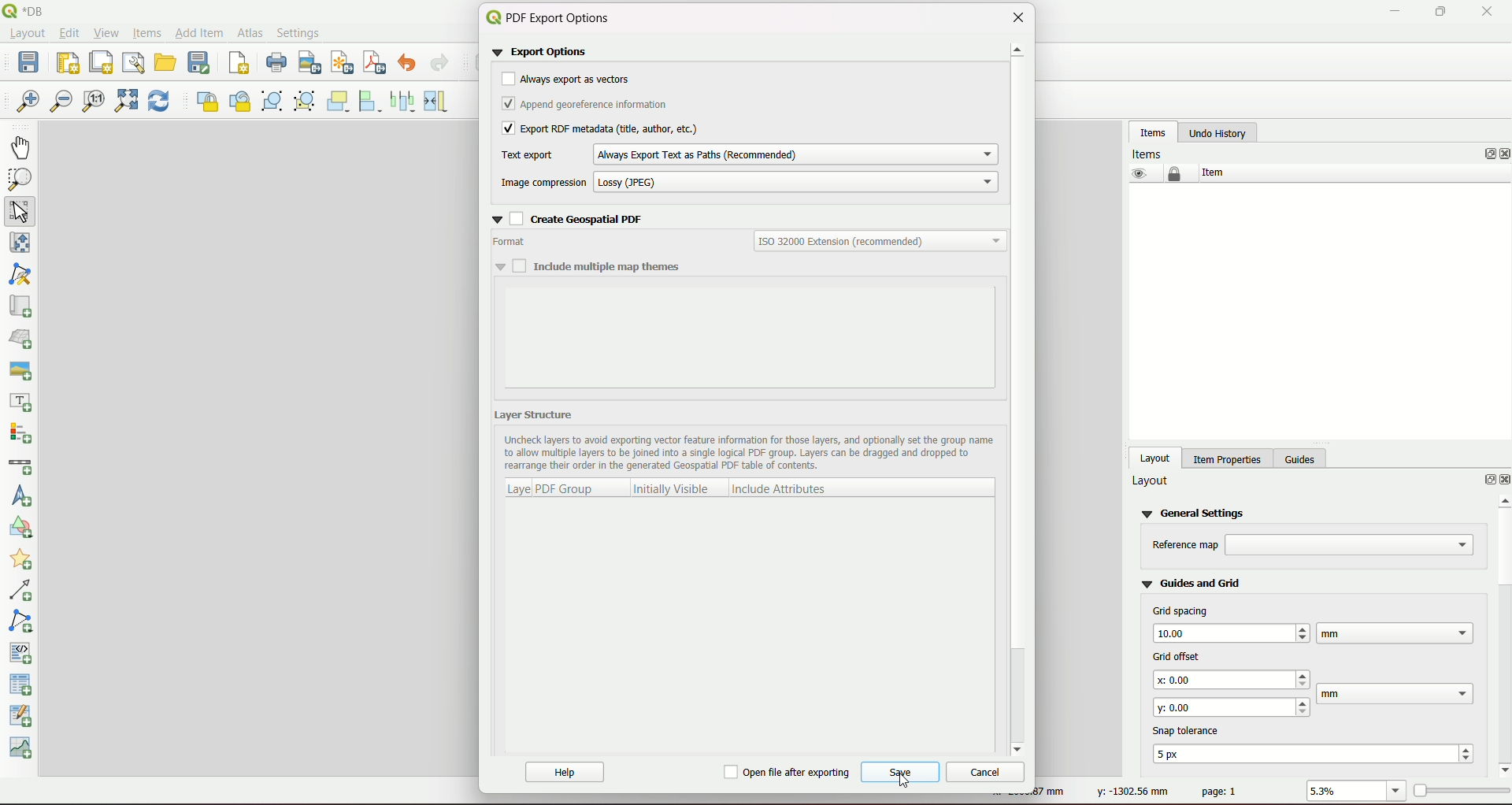 The height and width of the screenshot is (805, 1512). I want to click on check box, so click(507, 265).